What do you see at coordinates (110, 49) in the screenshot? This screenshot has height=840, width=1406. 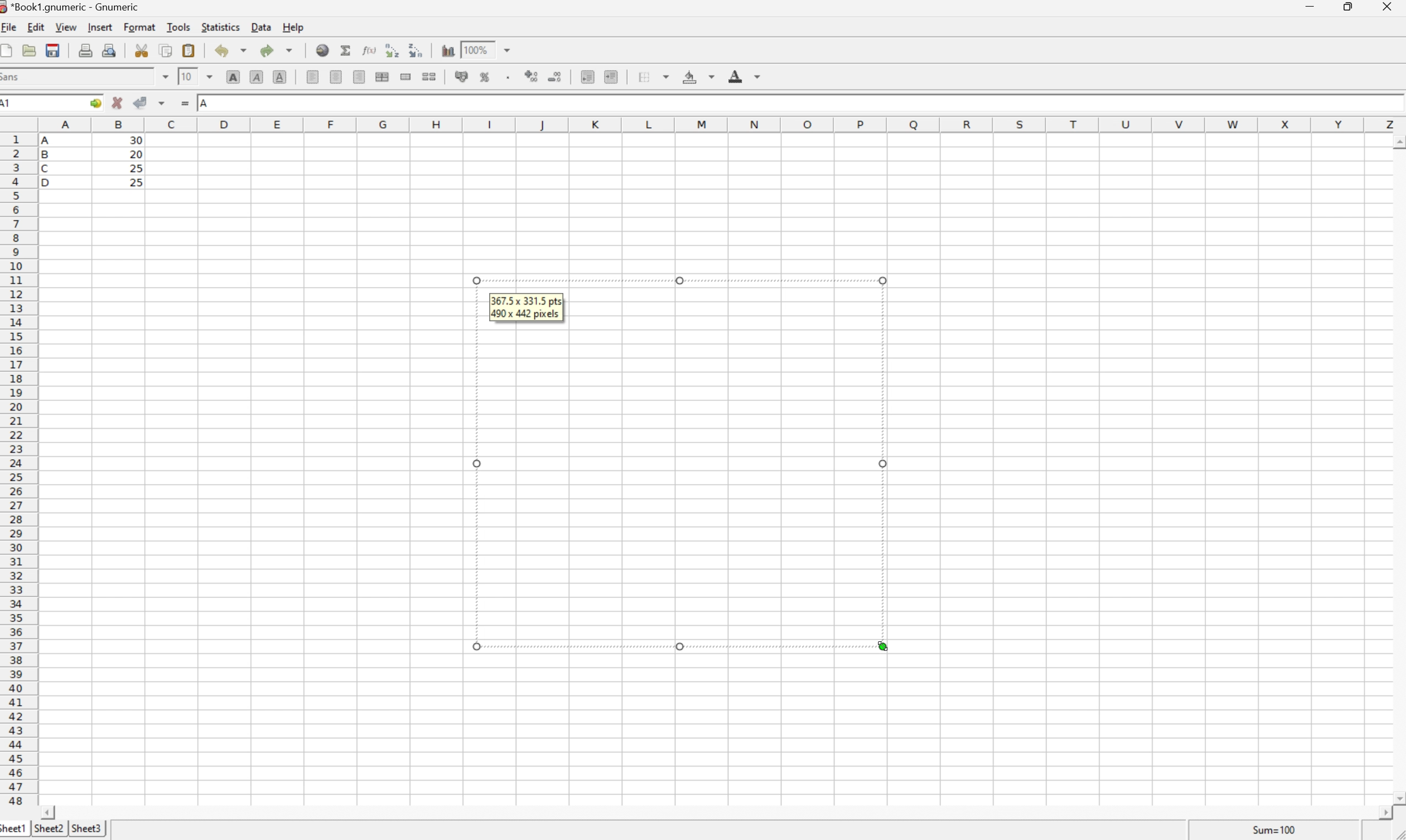 I see `Print preview` at bounding box center [110, 49].